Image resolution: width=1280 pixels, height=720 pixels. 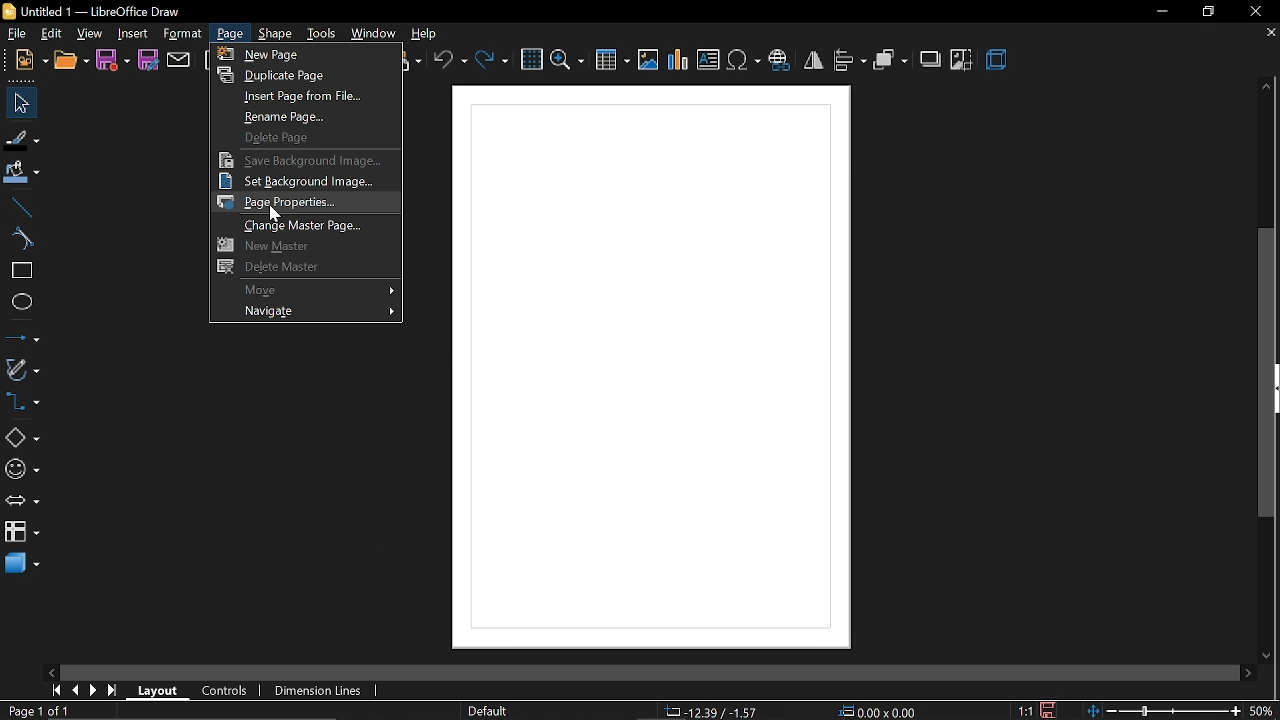 What do you see at coordinates (70, 63) in the screenshot?
I see `open` at bounding box center [70, 63].